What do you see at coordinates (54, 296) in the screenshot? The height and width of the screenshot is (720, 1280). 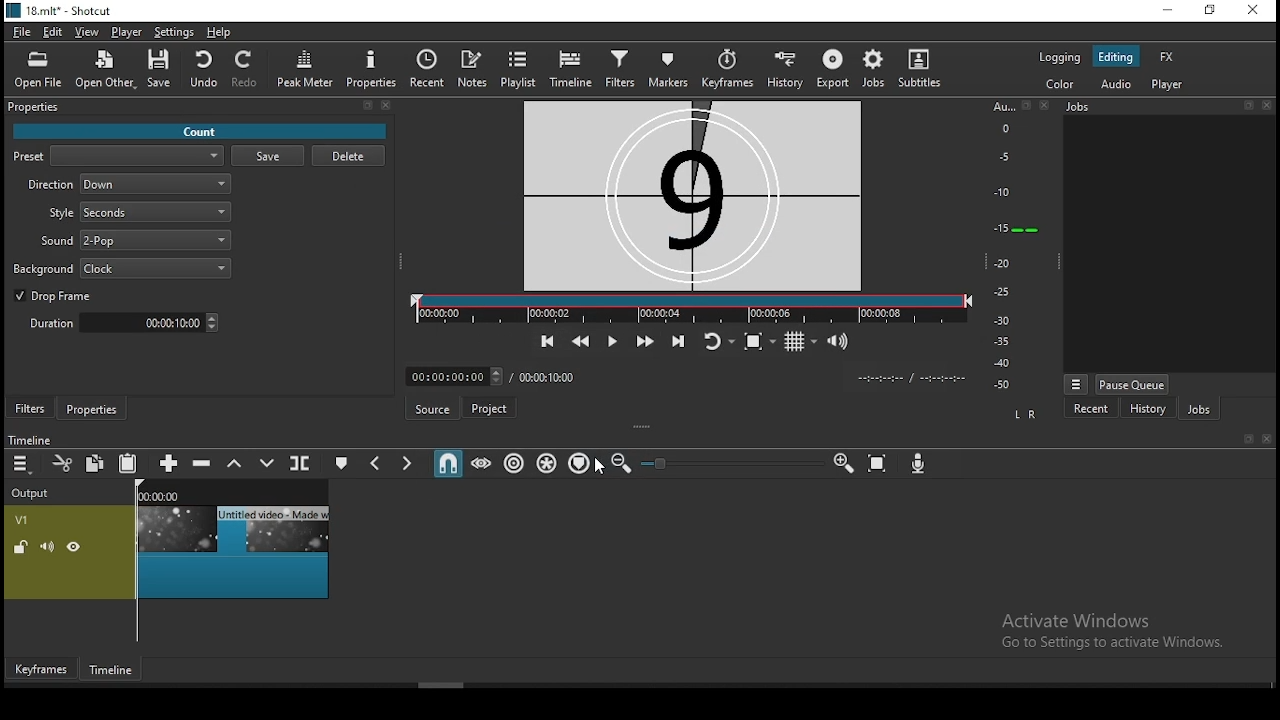 I see `drop frame on/off` at bounding box center [54, 296].